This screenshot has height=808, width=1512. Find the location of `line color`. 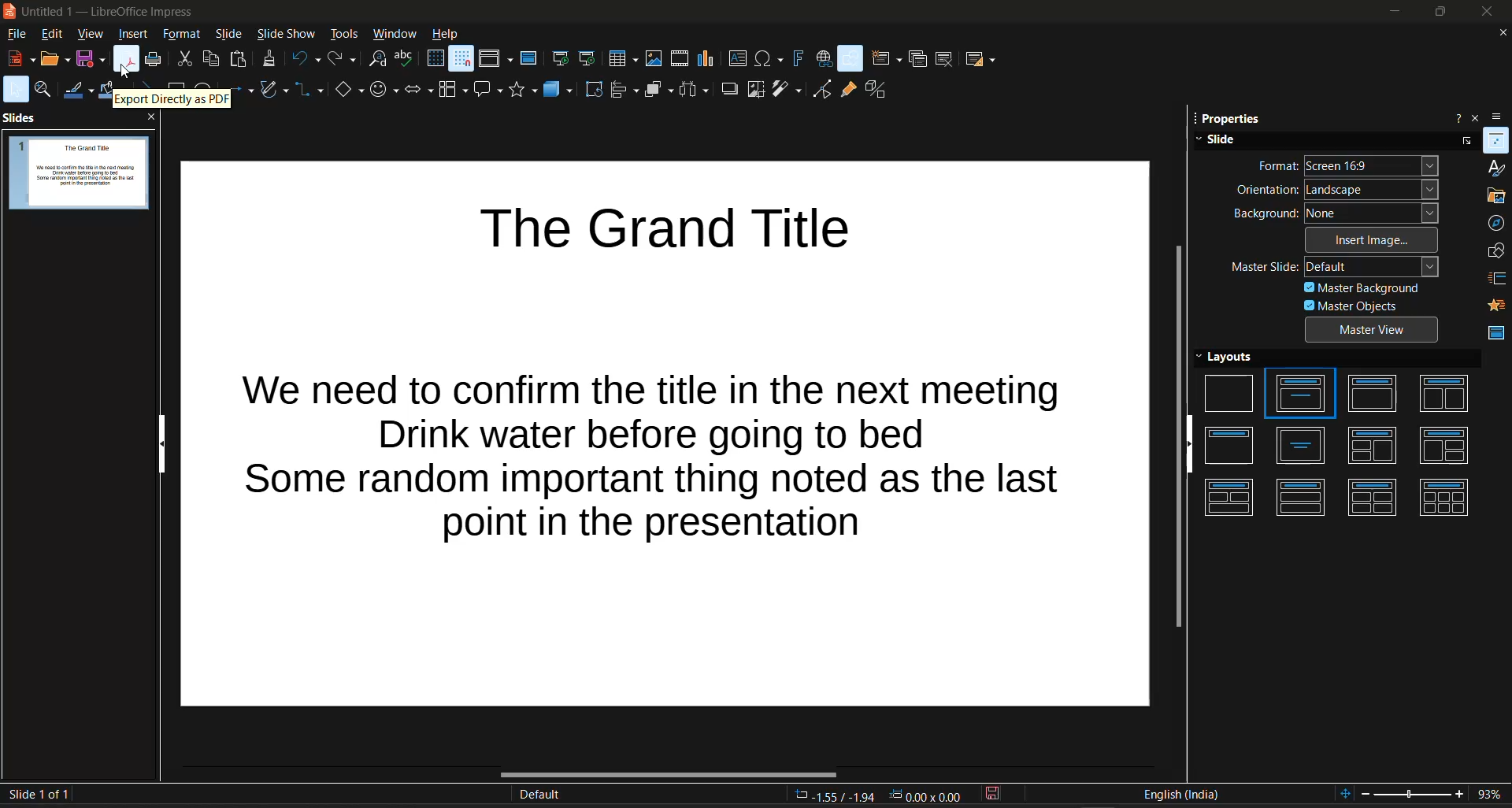

line color is located at coordinates (76, 91).